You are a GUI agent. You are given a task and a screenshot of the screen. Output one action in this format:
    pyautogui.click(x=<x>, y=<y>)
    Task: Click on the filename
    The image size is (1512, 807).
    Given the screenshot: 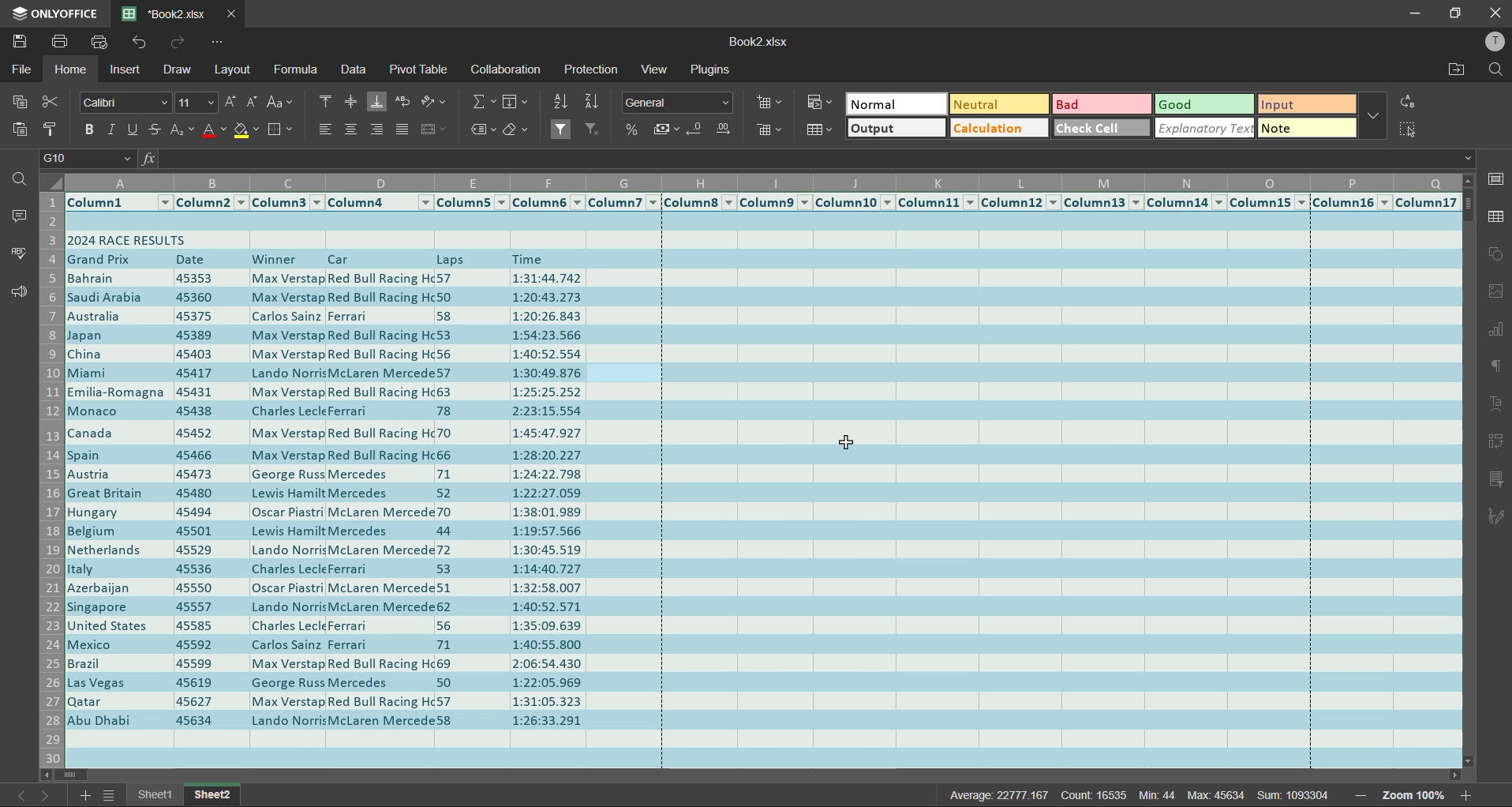 What is the action you would take?
    pyautogui.click(x=755, y=42)
    